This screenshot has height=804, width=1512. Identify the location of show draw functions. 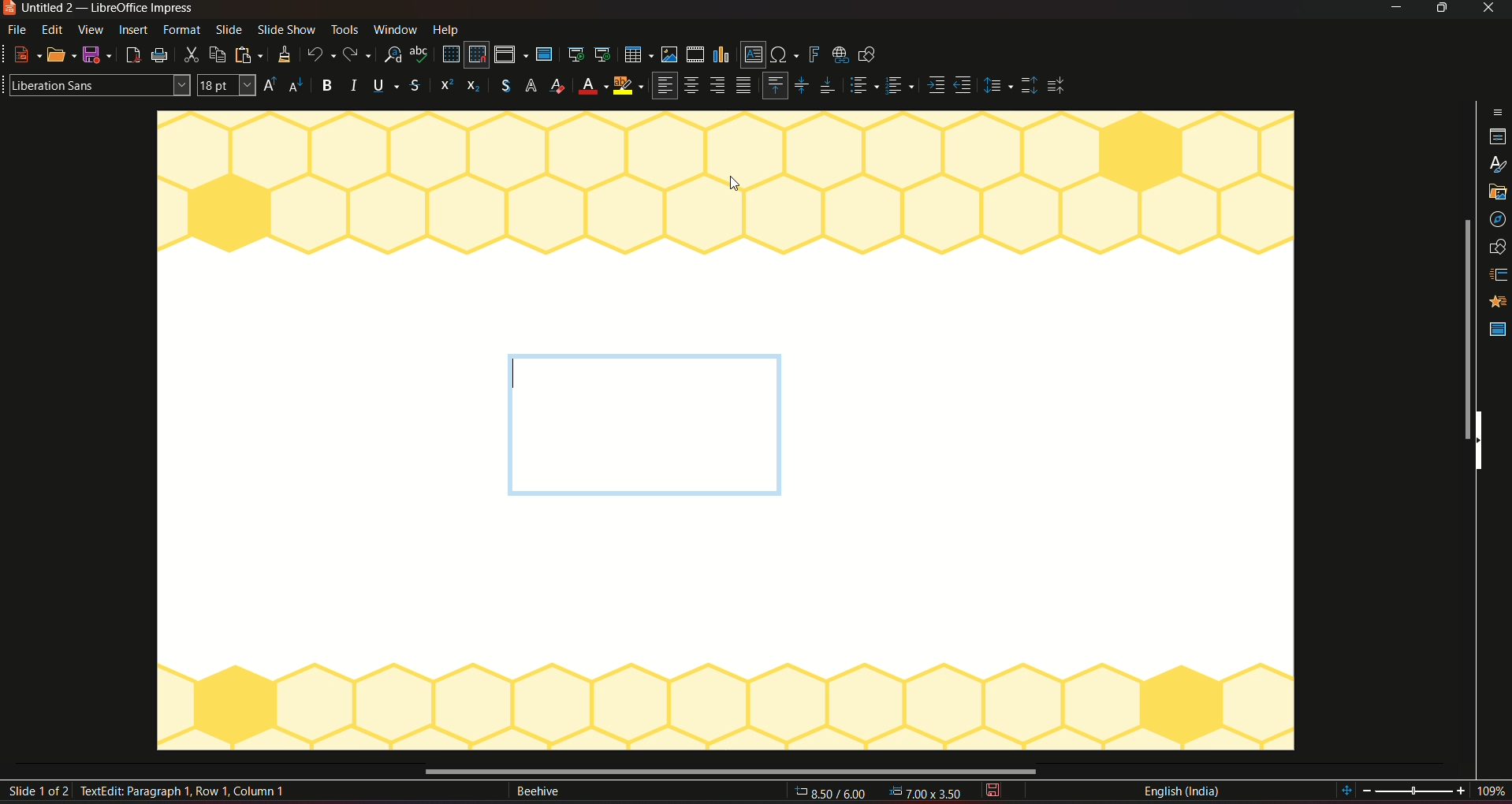
(872, 56).